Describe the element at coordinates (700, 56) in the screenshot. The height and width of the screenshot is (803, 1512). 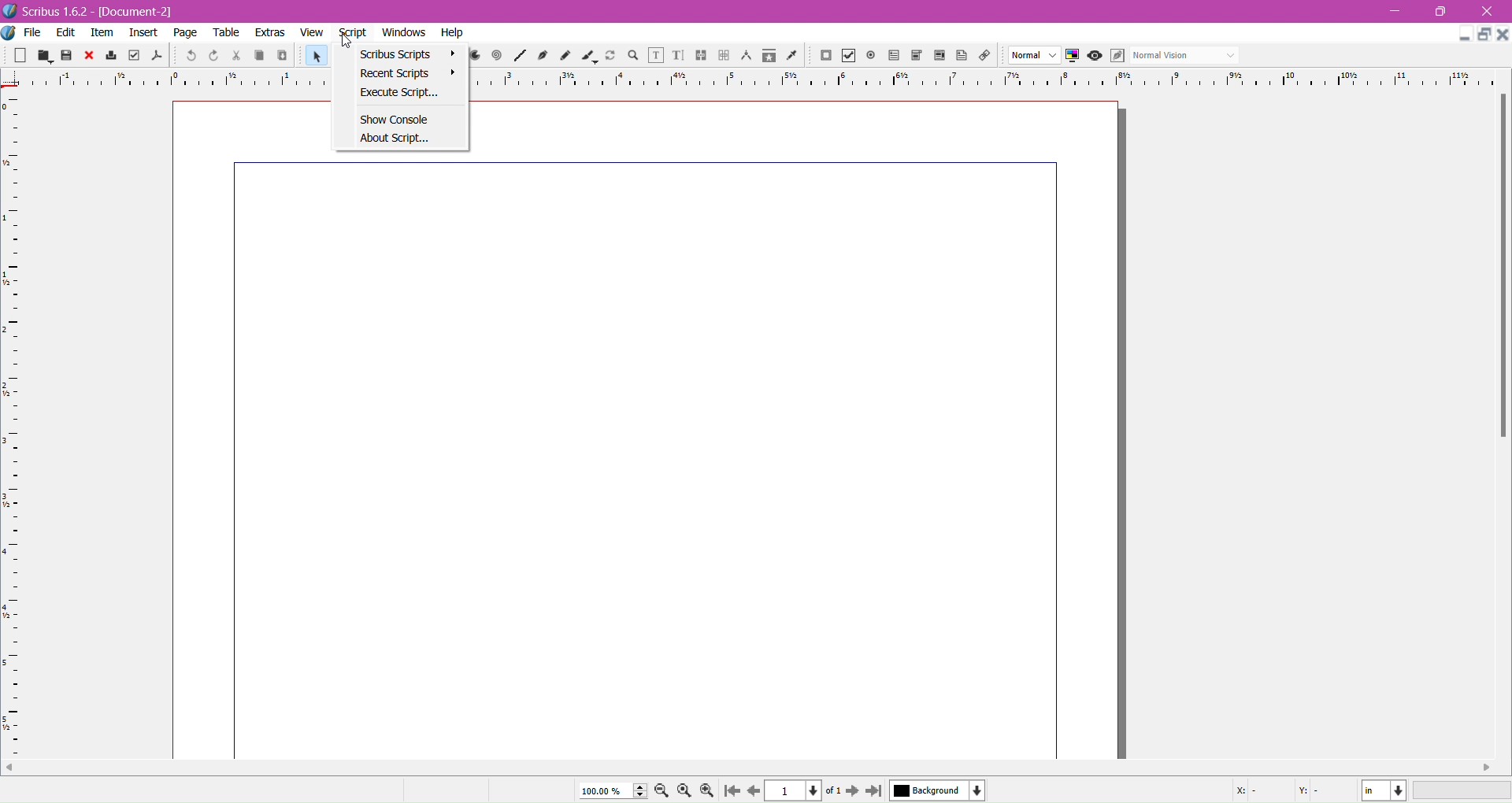
I see `Link Text Frames` at that location.